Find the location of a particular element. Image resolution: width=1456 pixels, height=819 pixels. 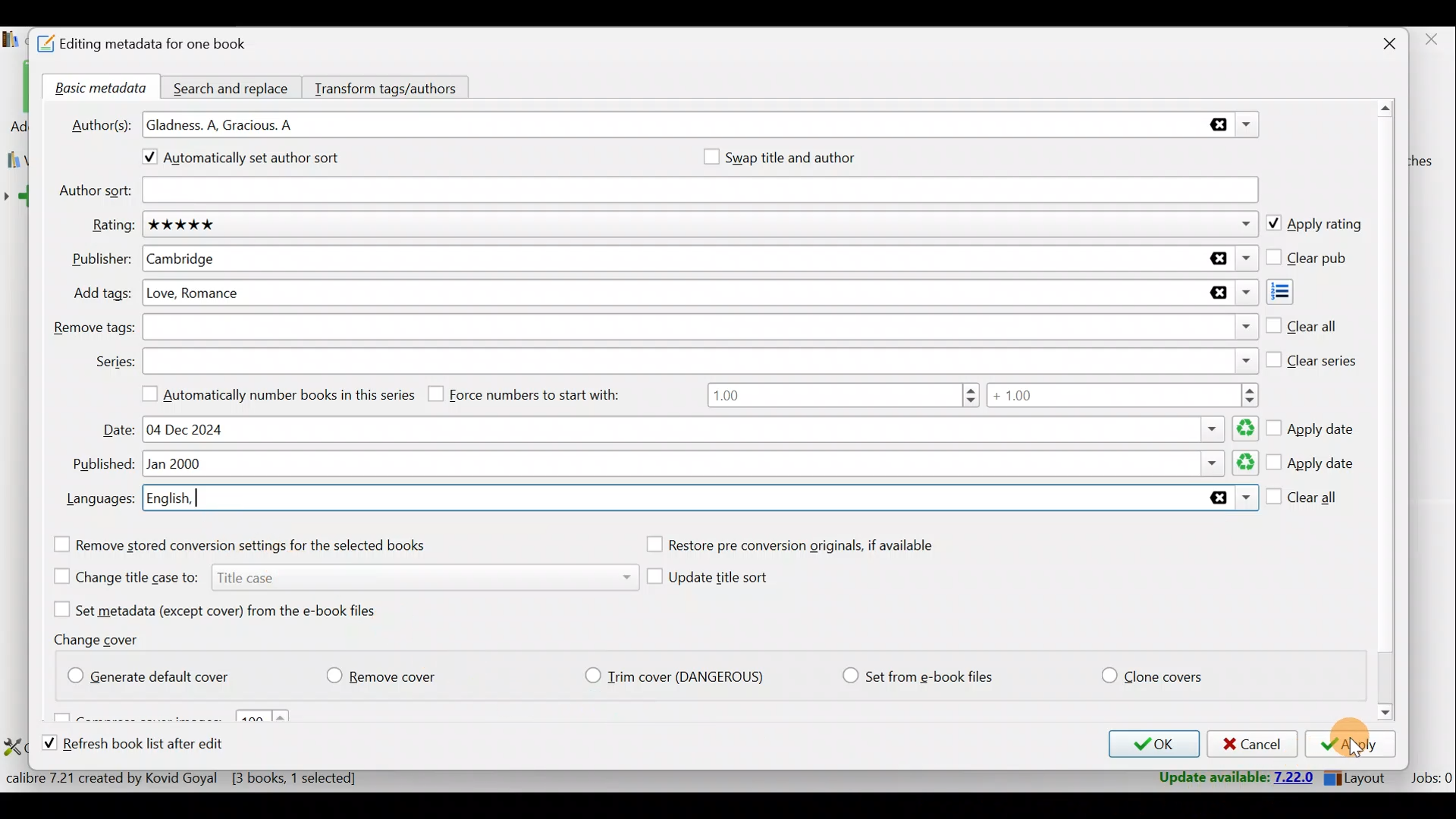

Rating is located at coordinates (703, 227).